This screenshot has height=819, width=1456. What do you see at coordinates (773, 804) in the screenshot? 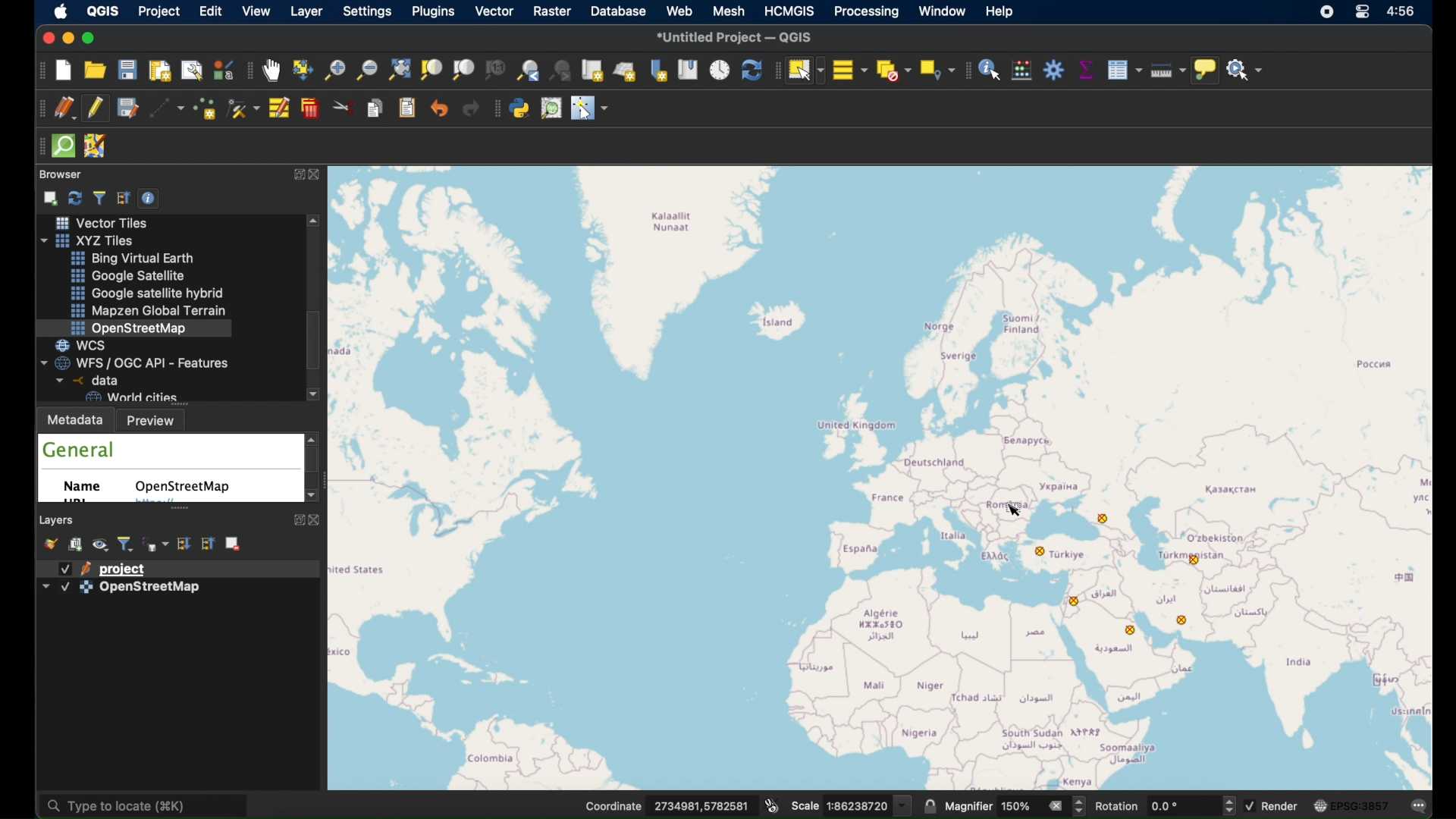
I see `toggle extents and mouse display position` at bounding box center [773, 804].